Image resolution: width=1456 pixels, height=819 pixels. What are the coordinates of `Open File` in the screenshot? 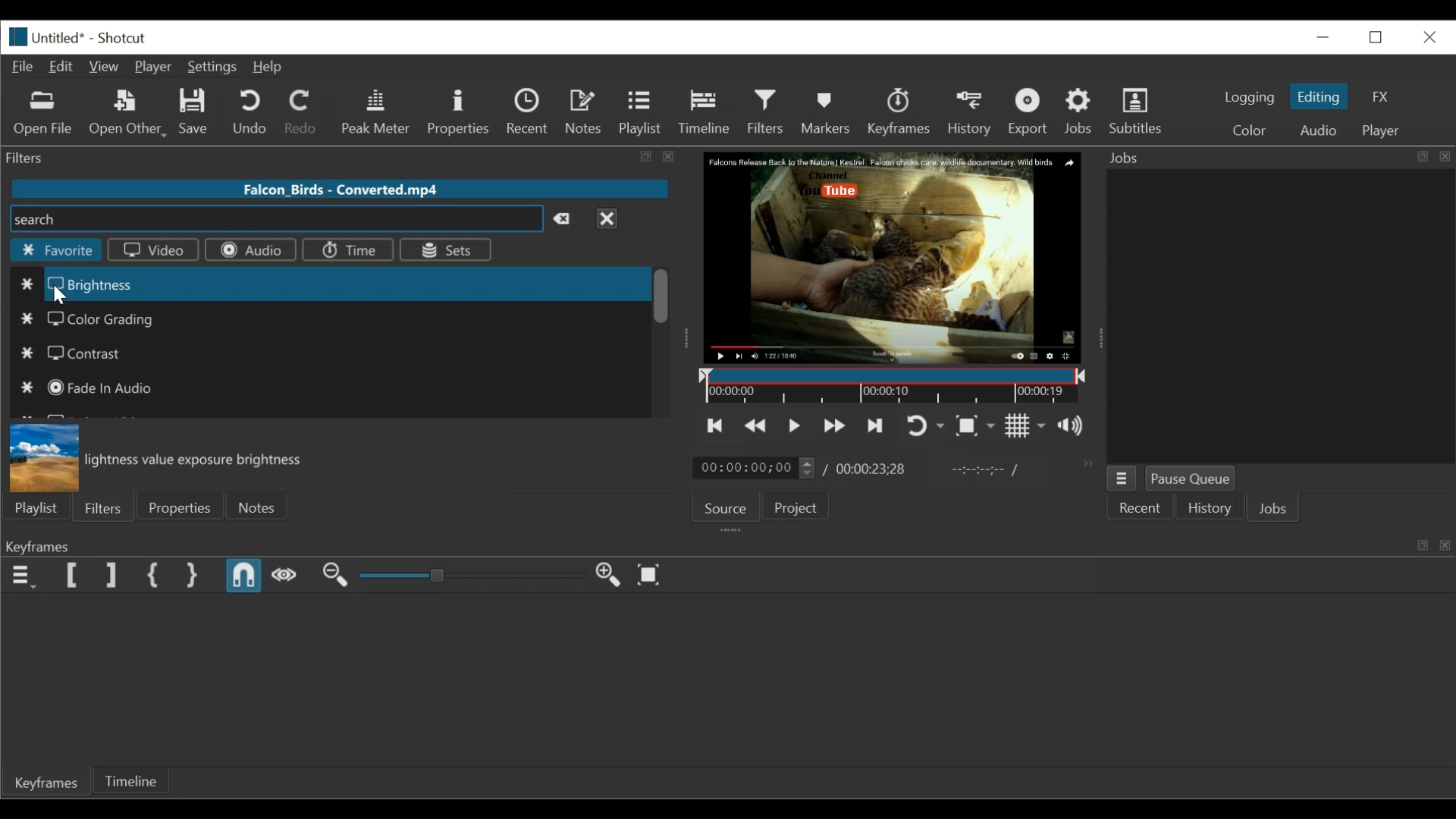 It's located at (44, 115).